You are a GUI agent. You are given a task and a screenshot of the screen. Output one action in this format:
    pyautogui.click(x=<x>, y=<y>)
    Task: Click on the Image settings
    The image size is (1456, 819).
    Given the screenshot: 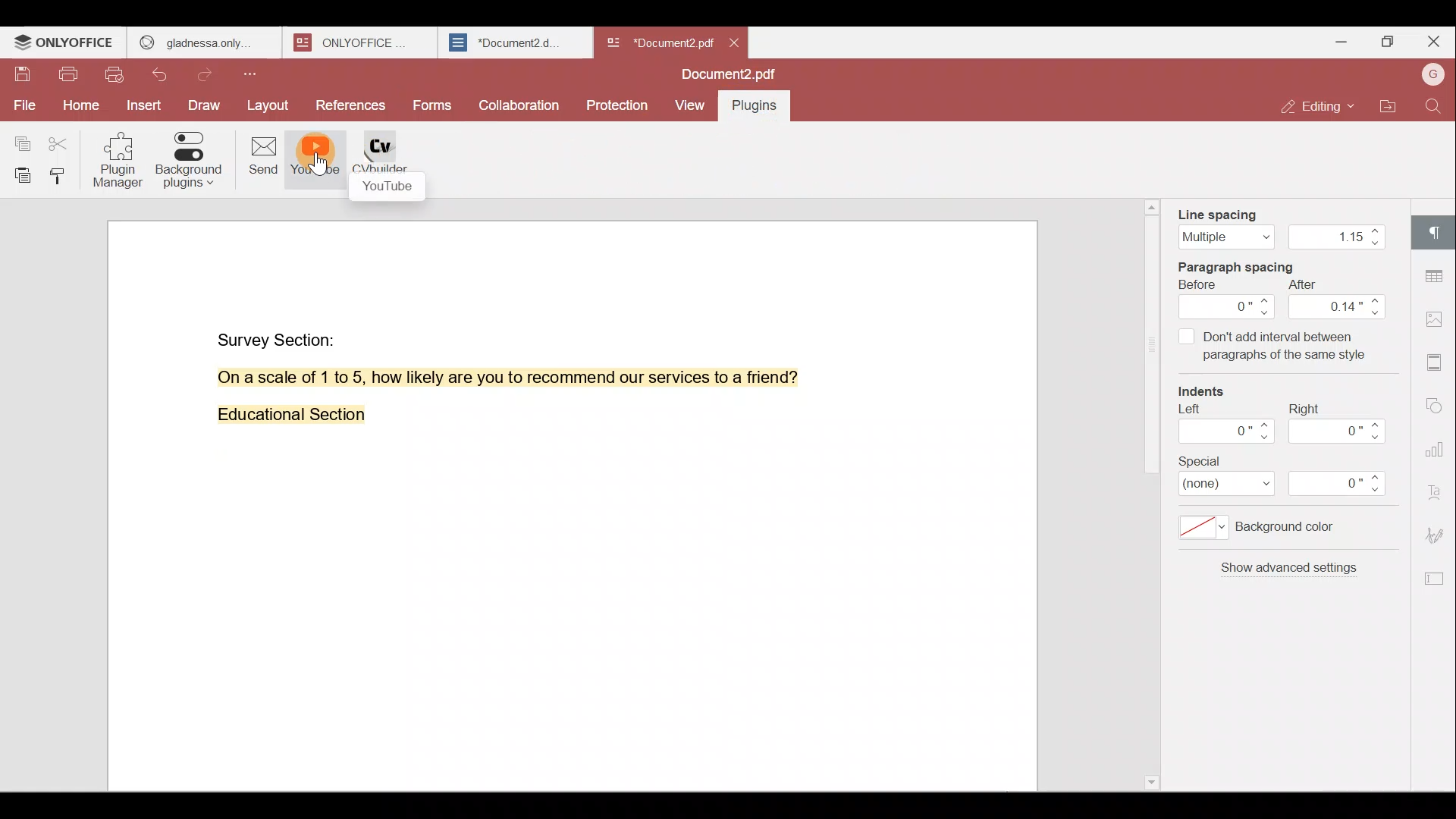 What is the action you would take?
    pyautogui.click(x=1439, y=322)
    